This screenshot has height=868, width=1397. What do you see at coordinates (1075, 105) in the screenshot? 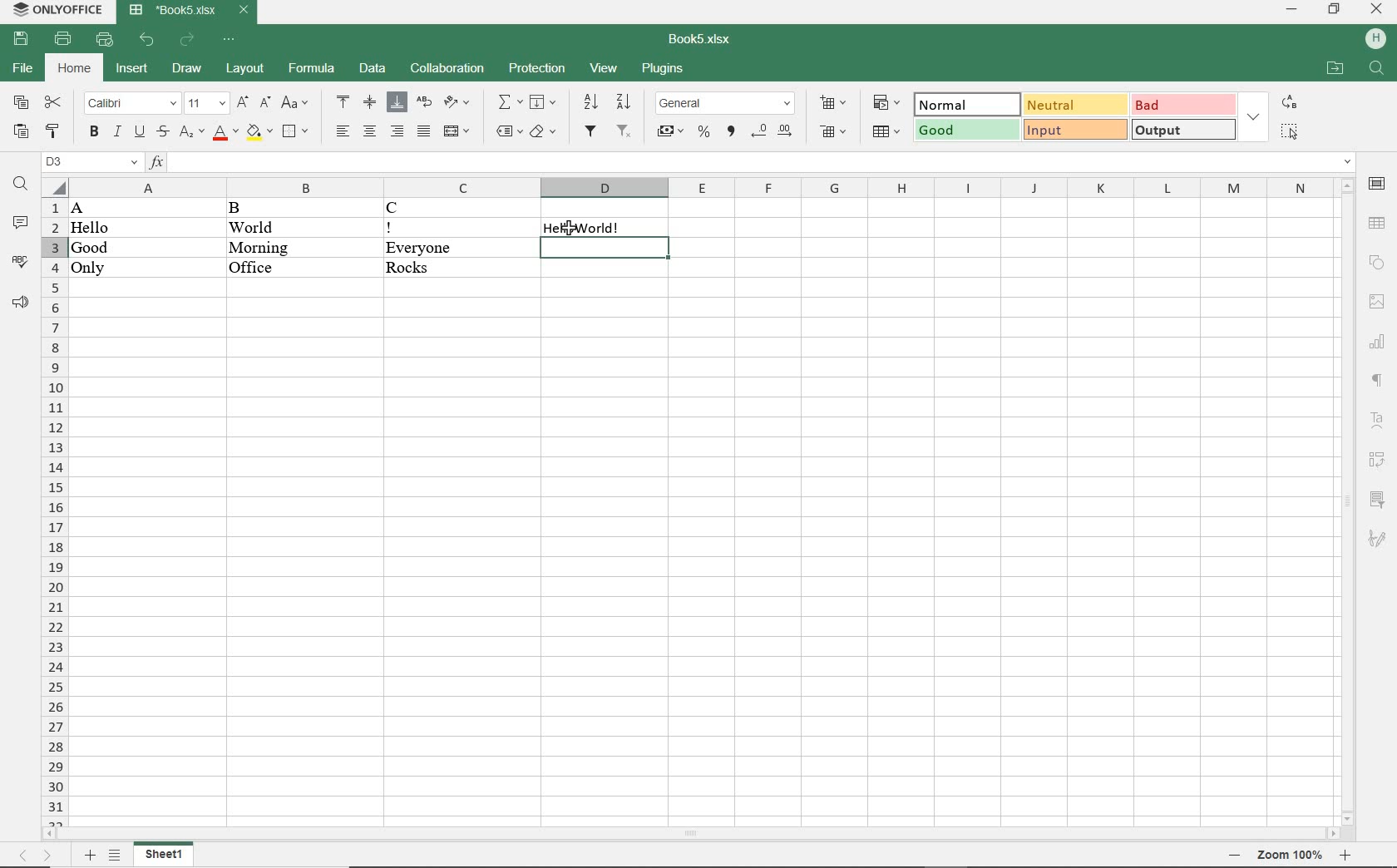
I see `NEUTRAL` at bounding box center [1075, 105].